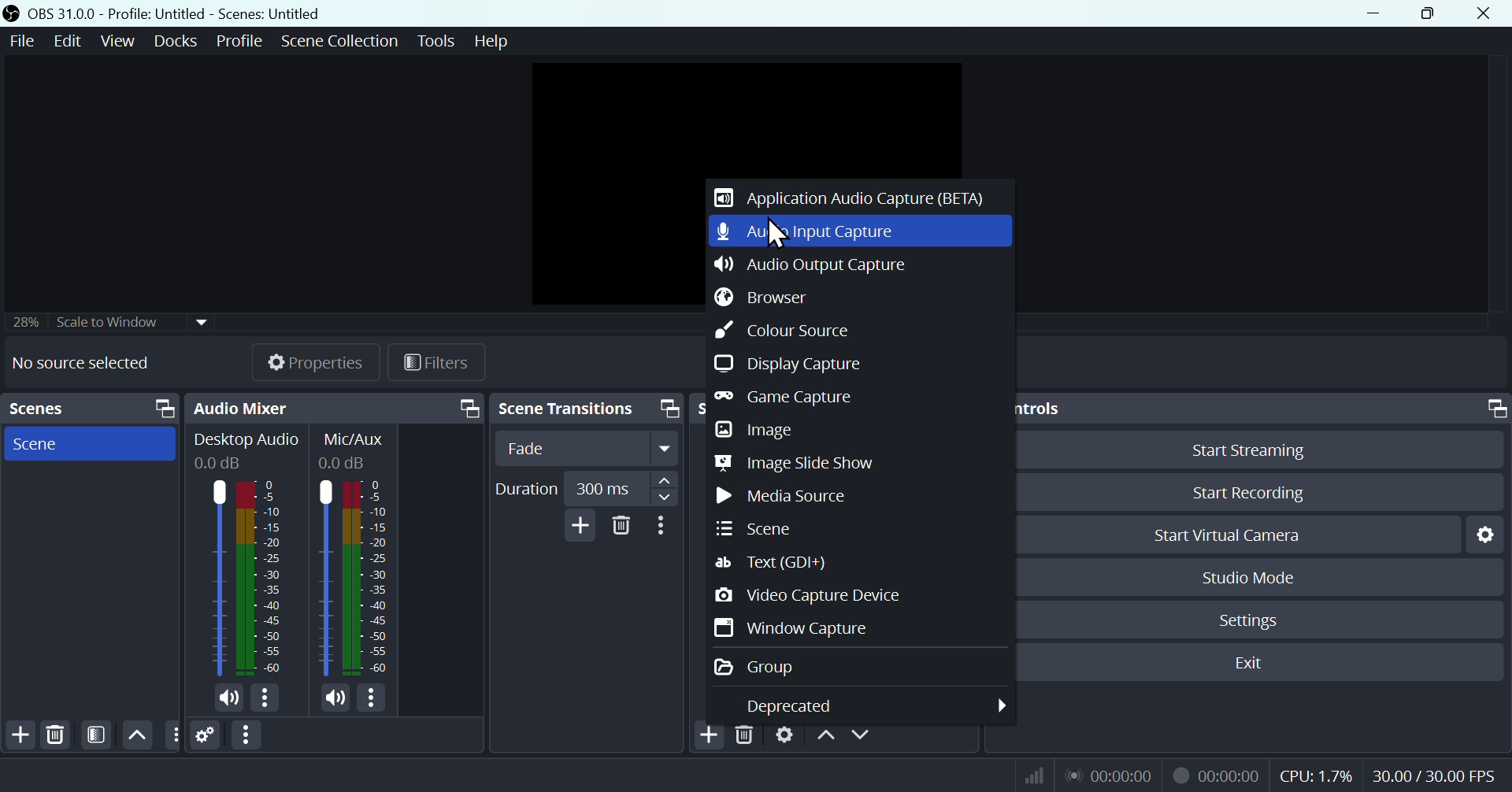  I want to click on 0.0dB, so click(220, 464).